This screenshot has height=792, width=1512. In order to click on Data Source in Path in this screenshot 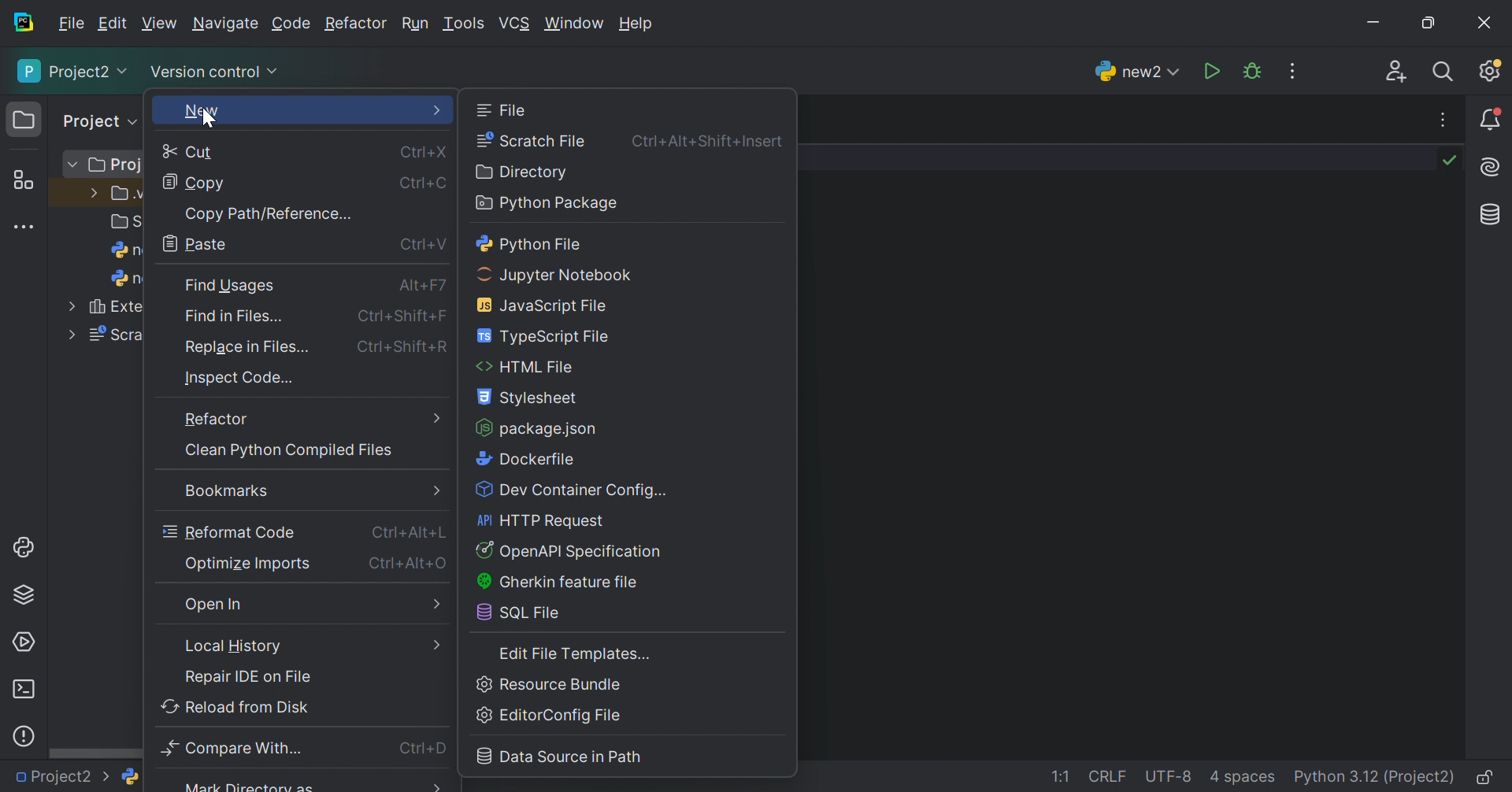, I will do `click(561, 756)`.